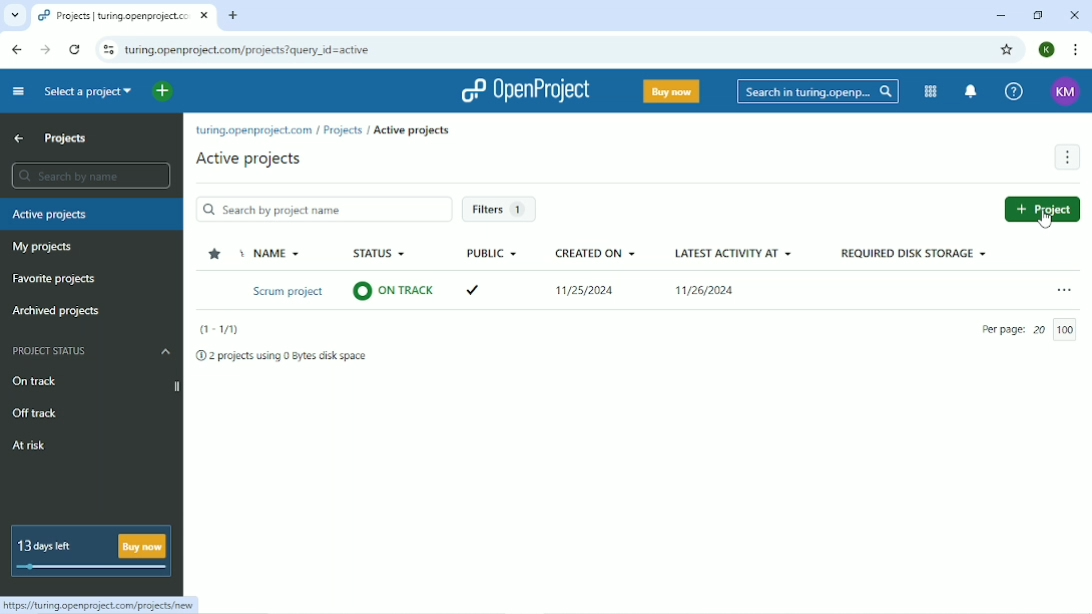 The image size is (1092, 614). I want to click on Required disk storage, so click(915, 252).